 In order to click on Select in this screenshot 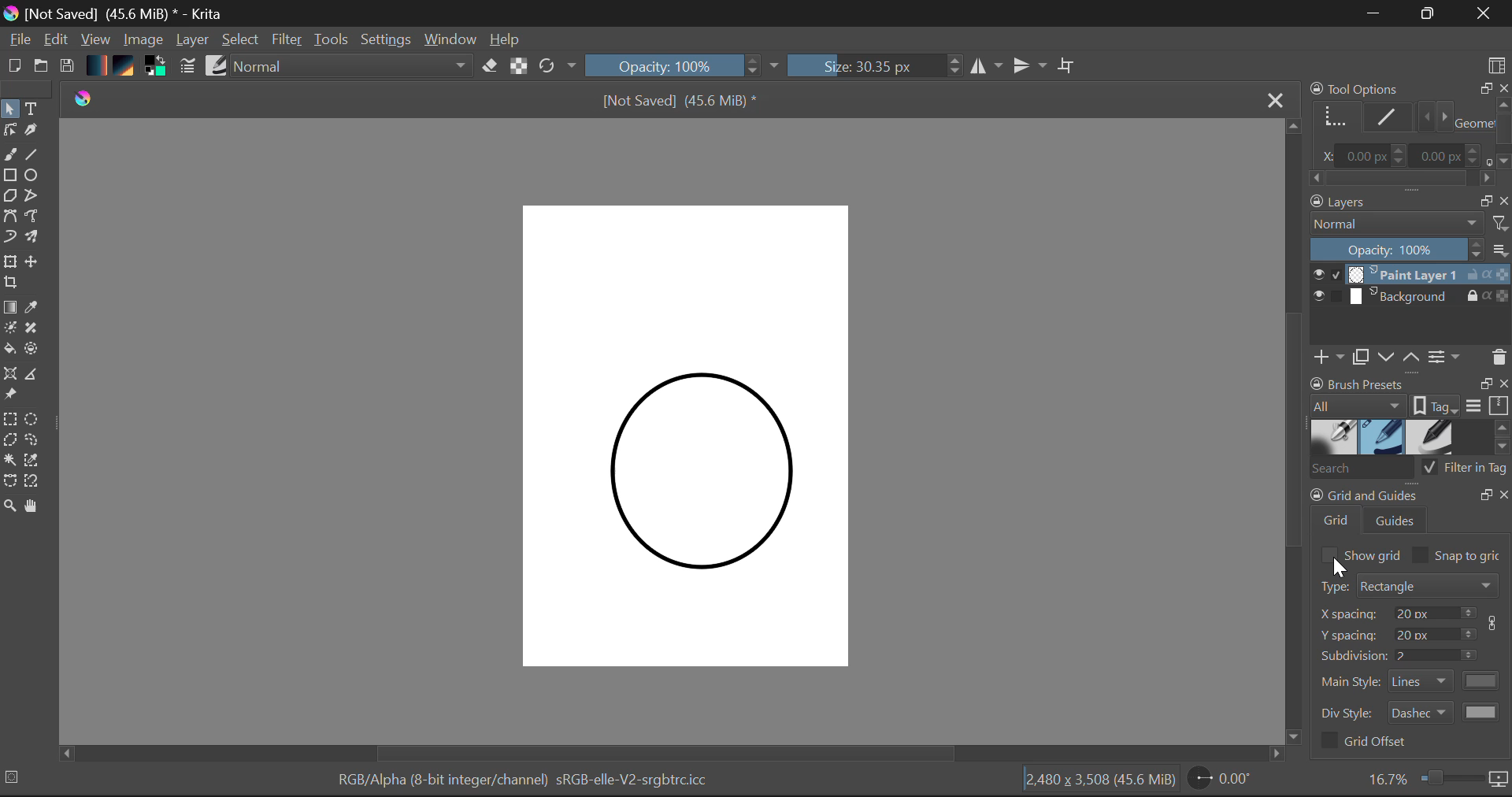, I will do `click(241, 40)`.